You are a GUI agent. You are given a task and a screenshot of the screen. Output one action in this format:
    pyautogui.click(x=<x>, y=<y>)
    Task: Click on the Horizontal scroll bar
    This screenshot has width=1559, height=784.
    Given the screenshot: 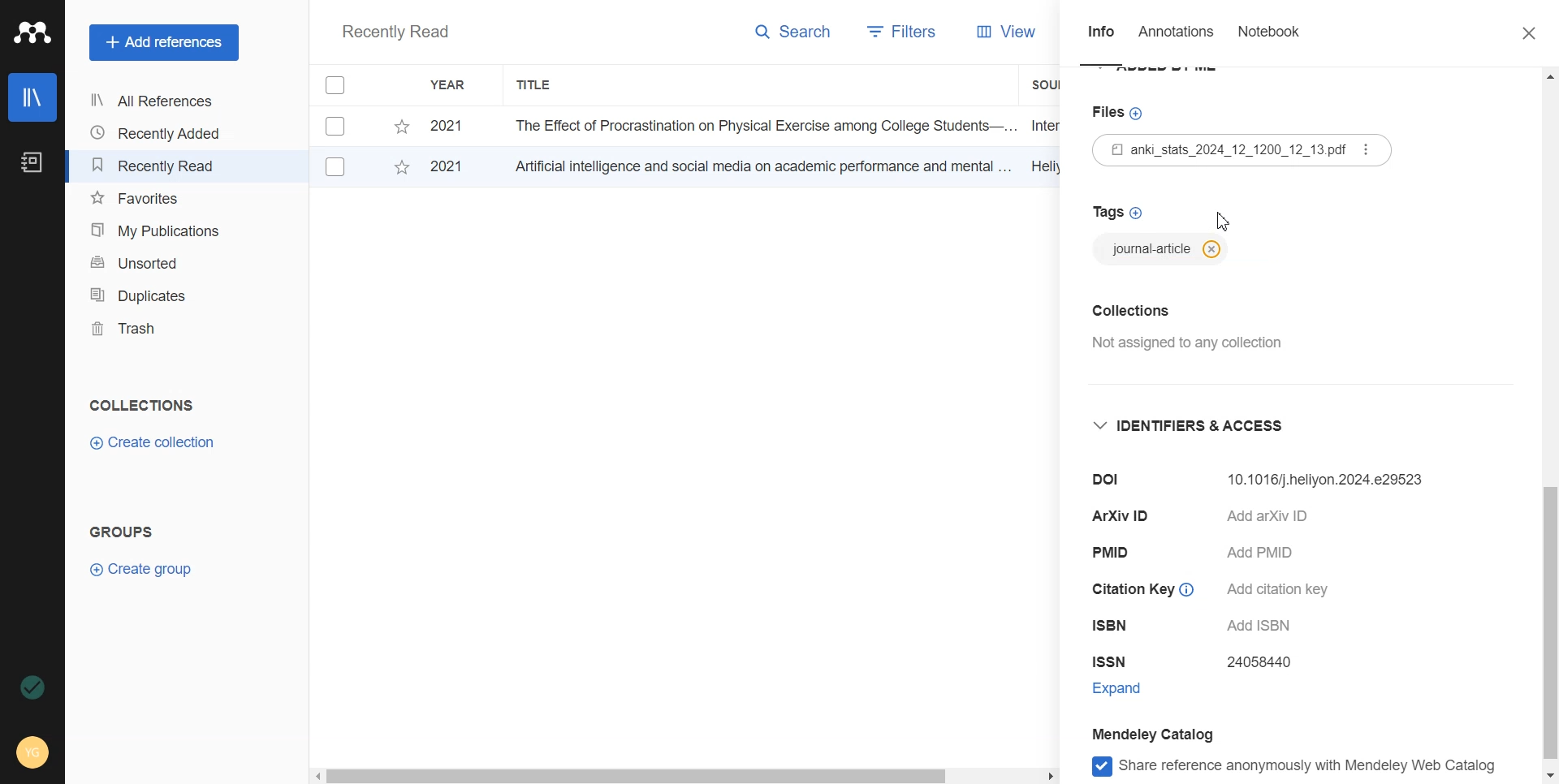 What is the action you would take?
    pyautogui.click(x=684, y=778)
    